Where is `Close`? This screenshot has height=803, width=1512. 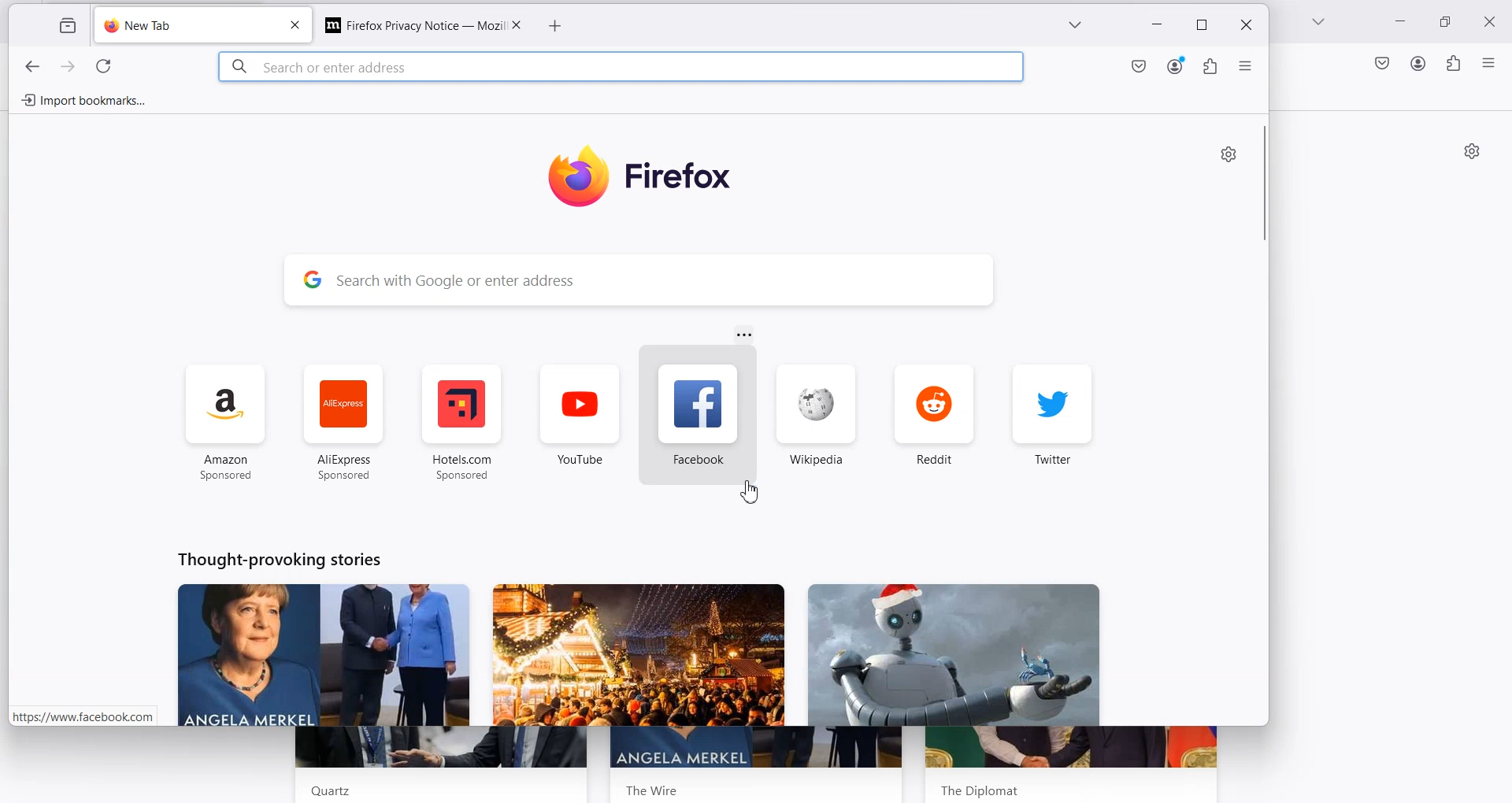
Close is located at coordinates (515, 24).